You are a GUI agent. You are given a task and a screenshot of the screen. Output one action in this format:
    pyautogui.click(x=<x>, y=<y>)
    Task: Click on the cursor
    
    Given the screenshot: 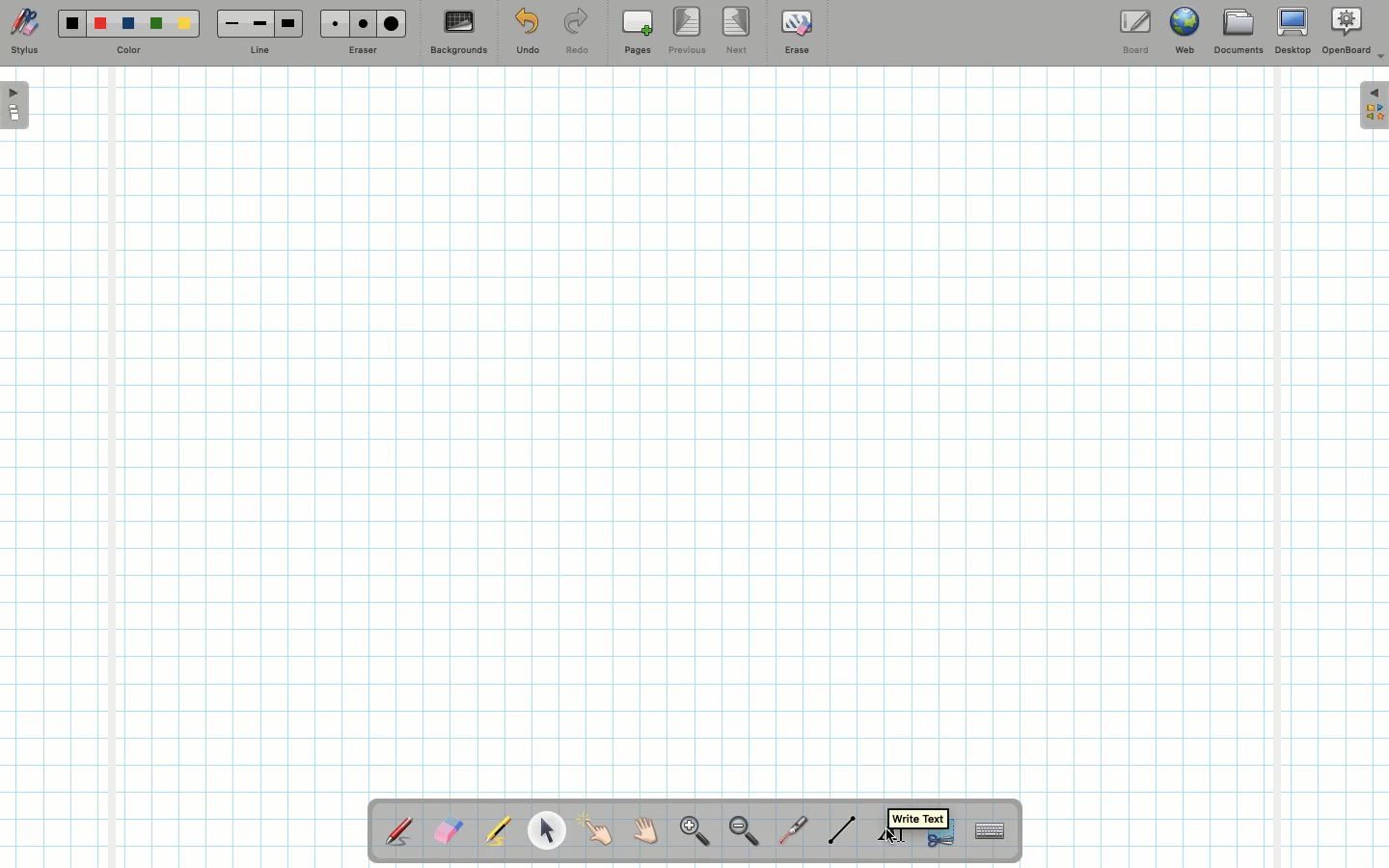 What is the action you would take?
    pyautogui.click(x=890, y=836)
    